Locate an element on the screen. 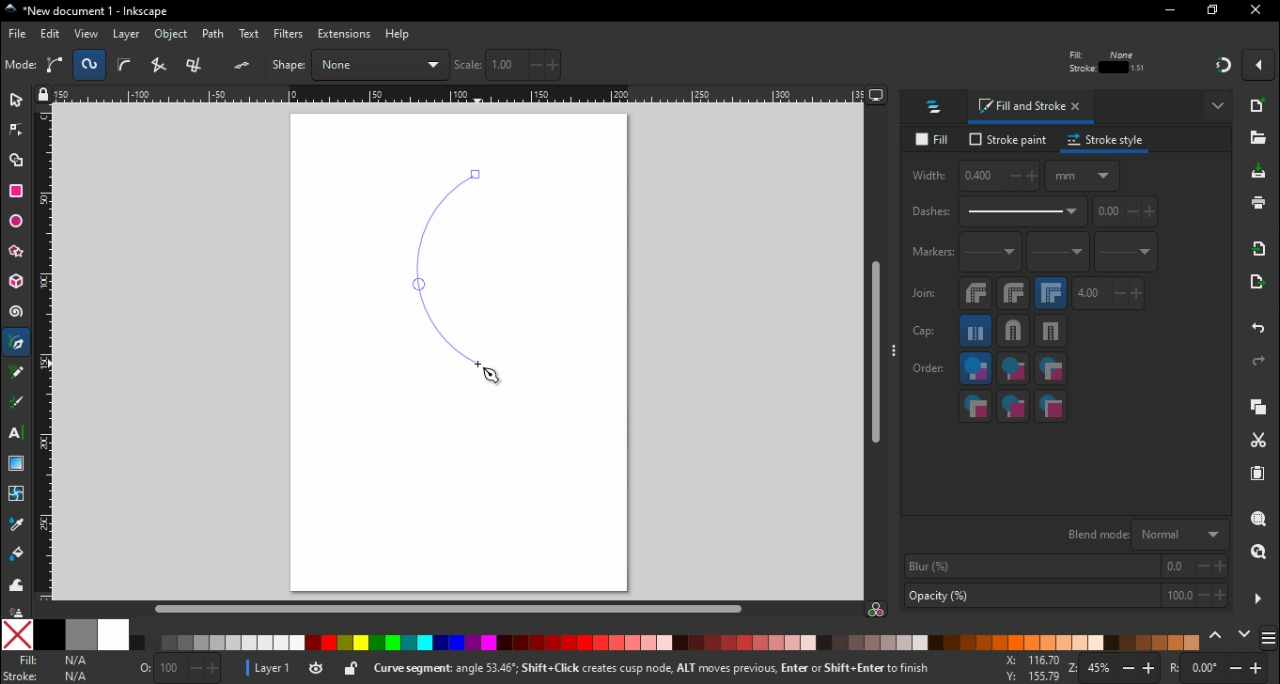 The image size is (1280, 684). mouse pointer is located at coordinates (491, 378).